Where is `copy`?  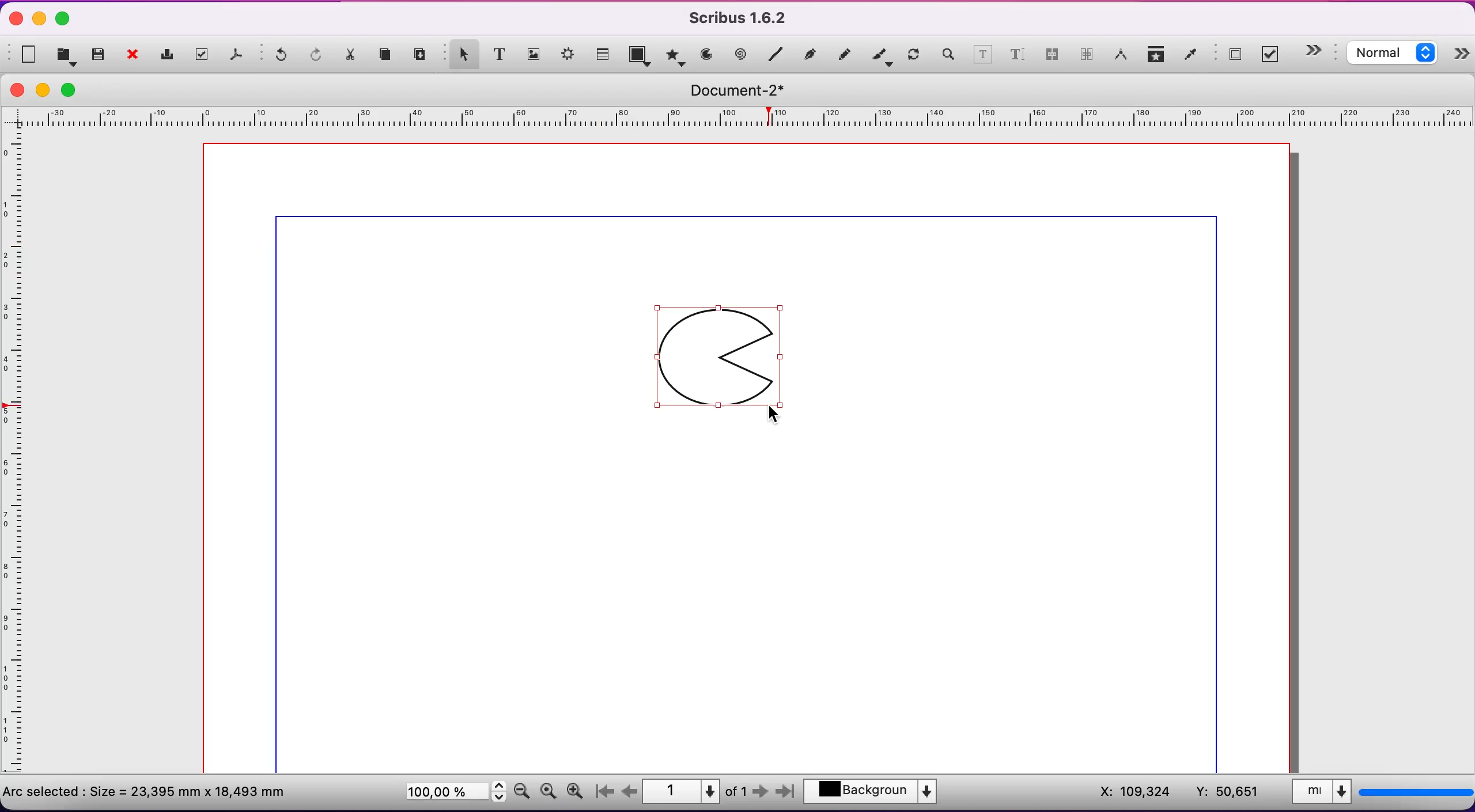 copy is located at coordinates (388, 56).